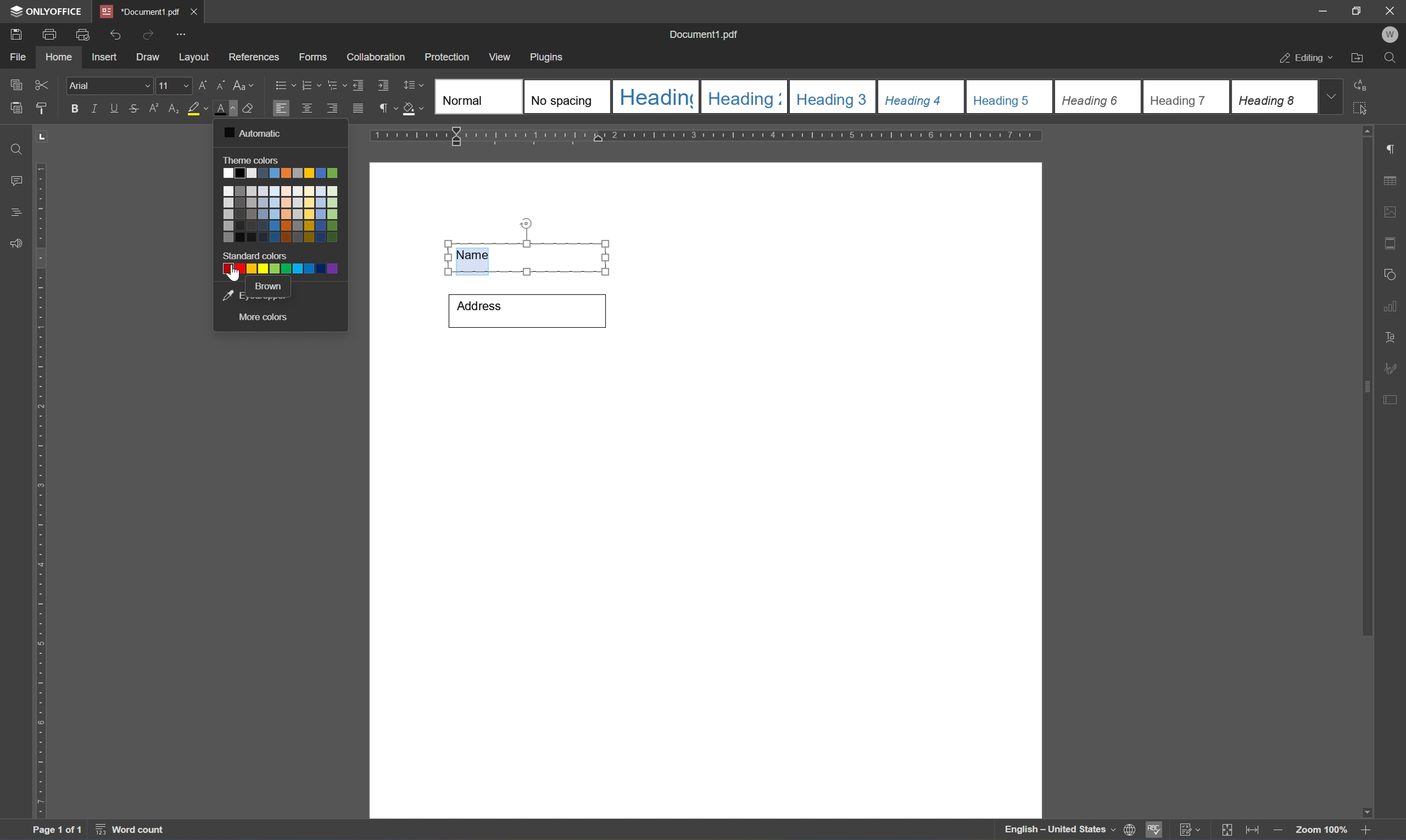  What do you see at coordinates (193, 59) in the screenshot?
I see `layout` at bounding box center [193, 59].